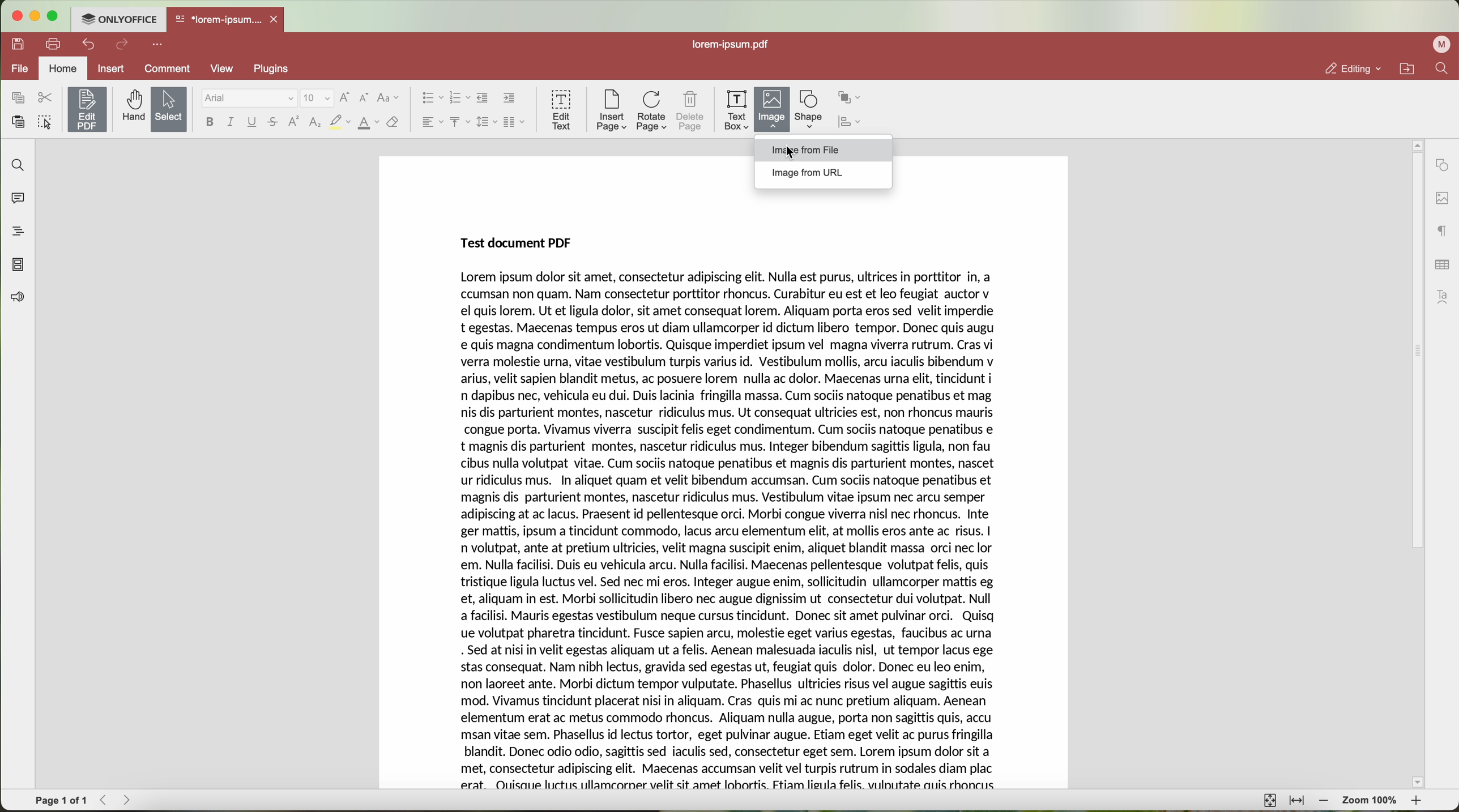 Image resolution: width=1459 pixels, height=812 pixels. What do you see at coordinates (14, 231) in the screenshot?
I see `headings` at bounding box center [14, 231].